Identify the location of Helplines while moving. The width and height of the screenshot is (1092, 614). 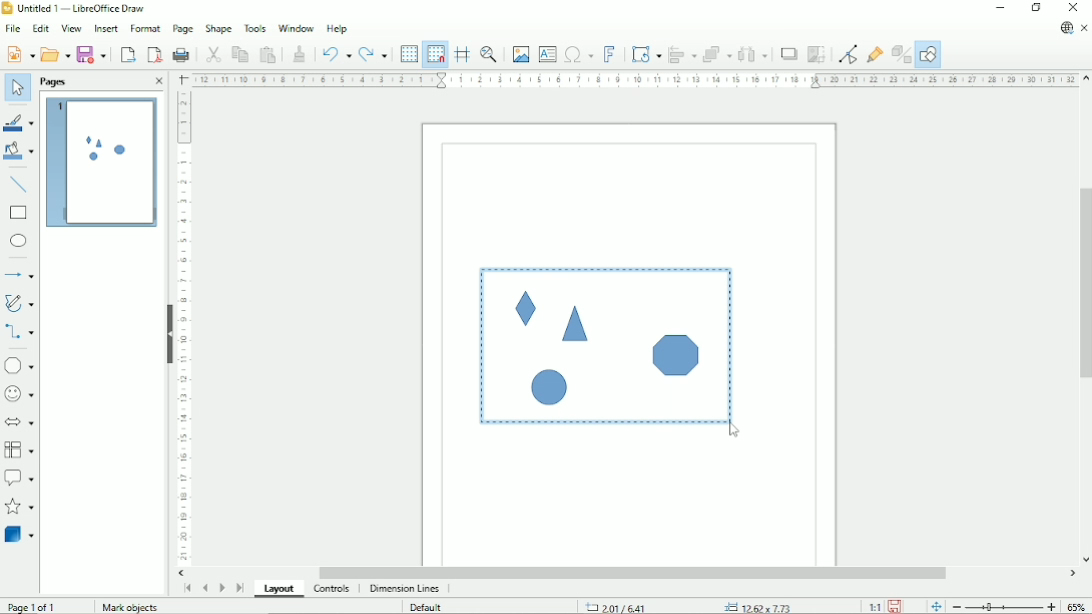
(462, 53).